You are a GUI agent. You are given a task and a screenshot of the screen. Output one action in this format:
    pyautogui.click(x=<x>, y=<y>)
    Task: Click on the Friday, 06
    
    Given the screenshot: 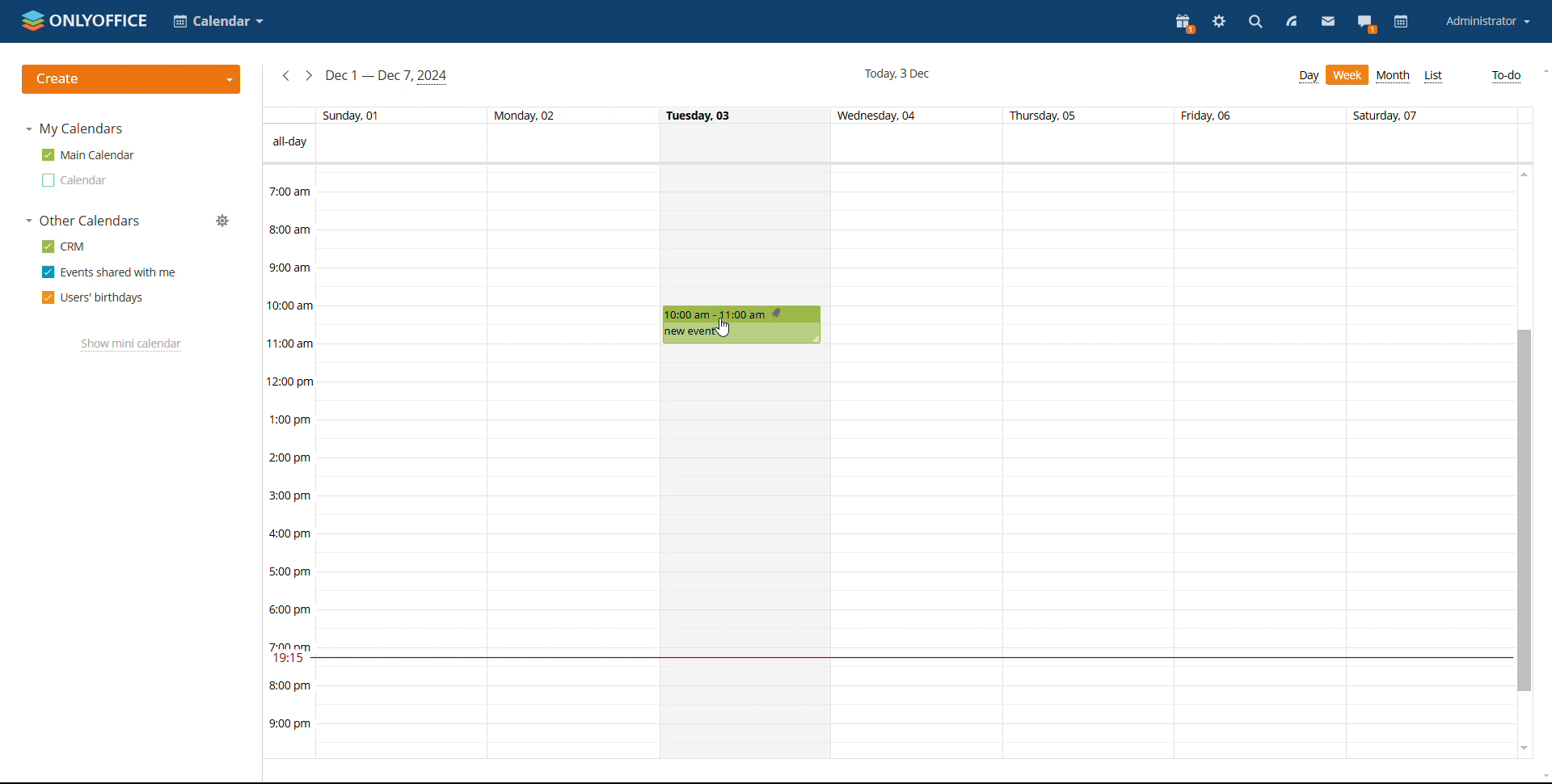 What is the action you would take?
    pyautogui.click(x=1209, y=115)
    